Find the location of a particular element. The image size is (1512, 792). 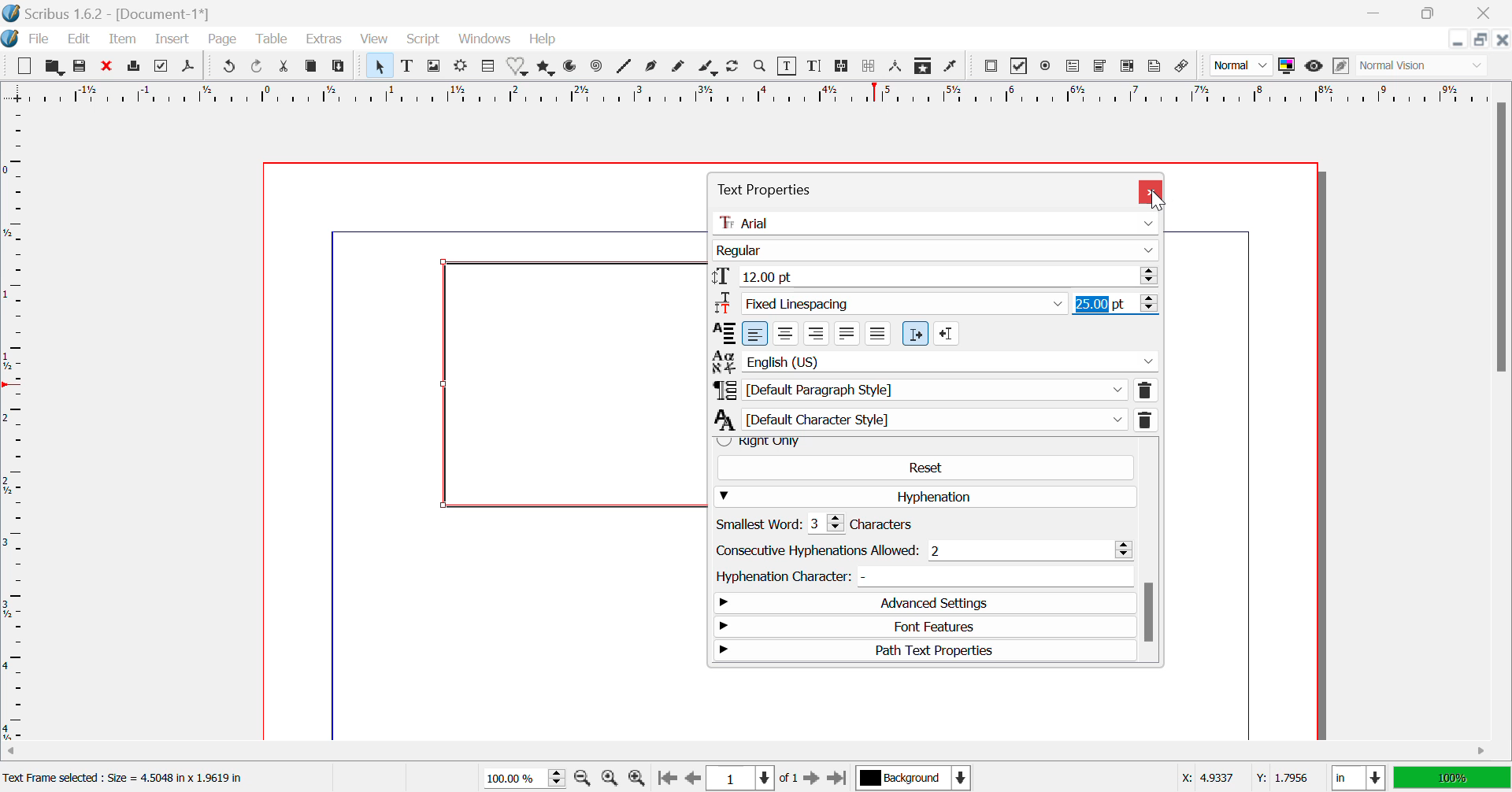

Paste is located at coordinates (339, 68).